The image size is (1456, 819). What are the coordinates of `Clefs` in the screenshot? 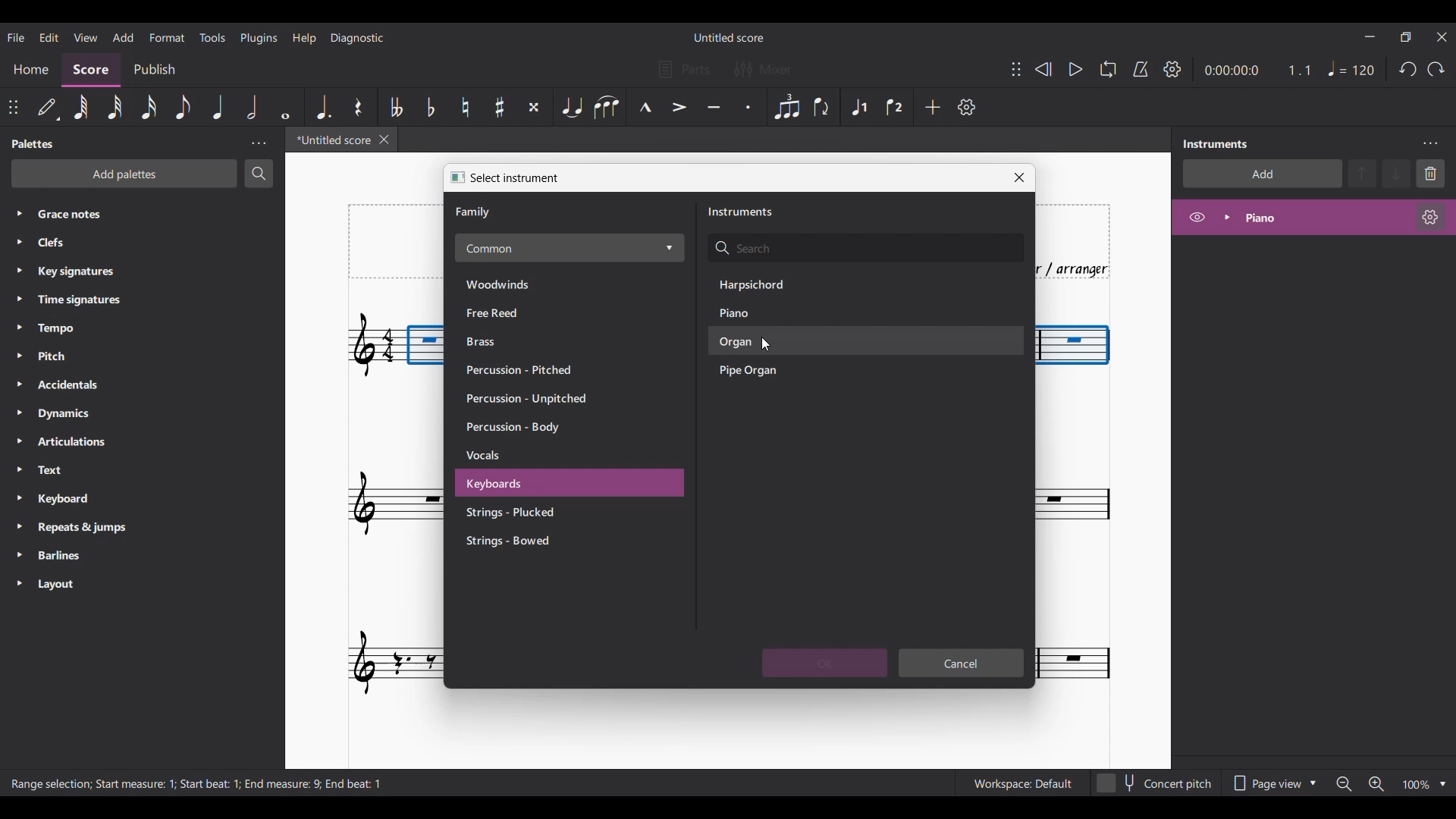 It's located at (121, 243).